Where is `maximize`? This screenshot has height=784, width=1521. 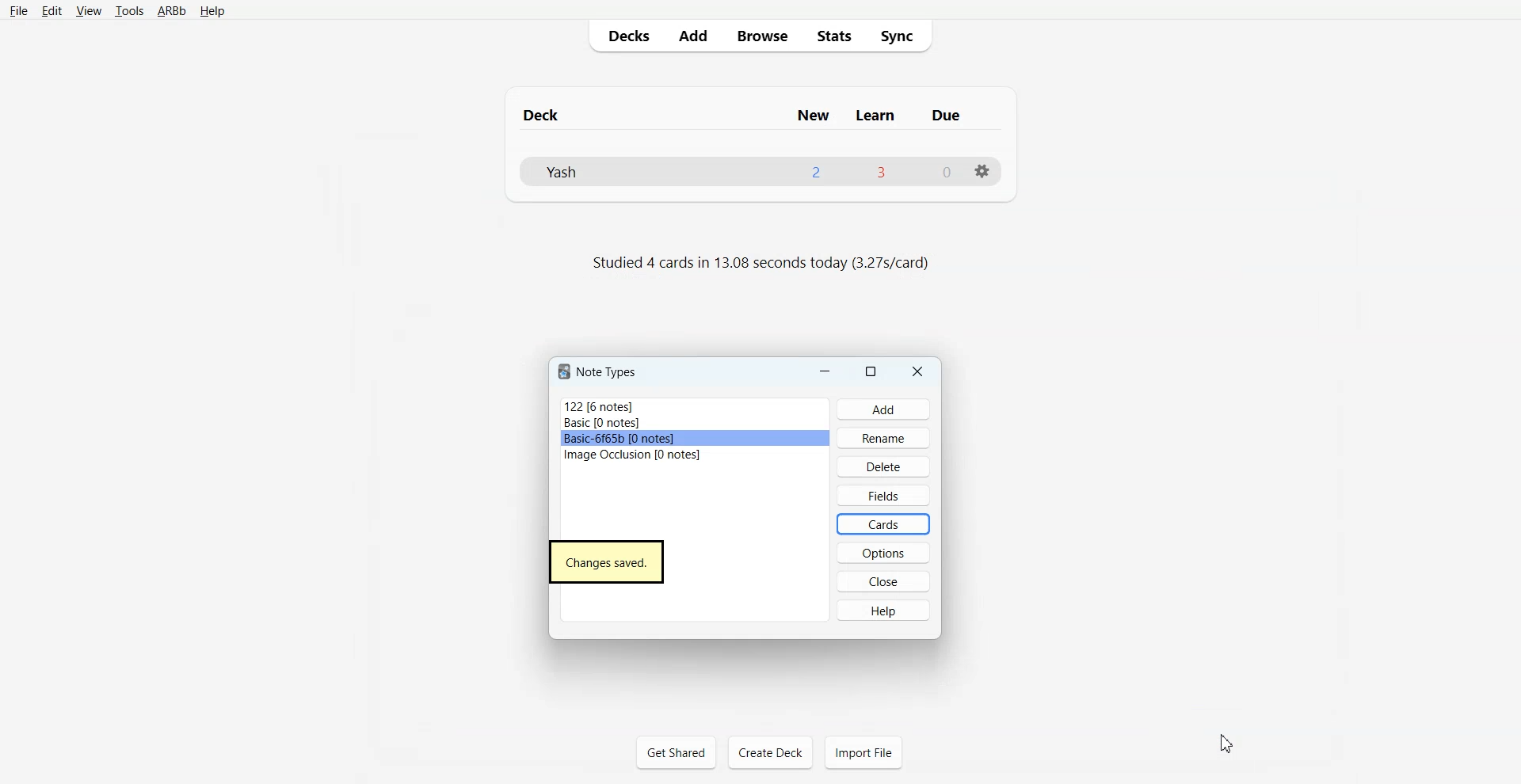
maximize is located at coordinates (871, 371).